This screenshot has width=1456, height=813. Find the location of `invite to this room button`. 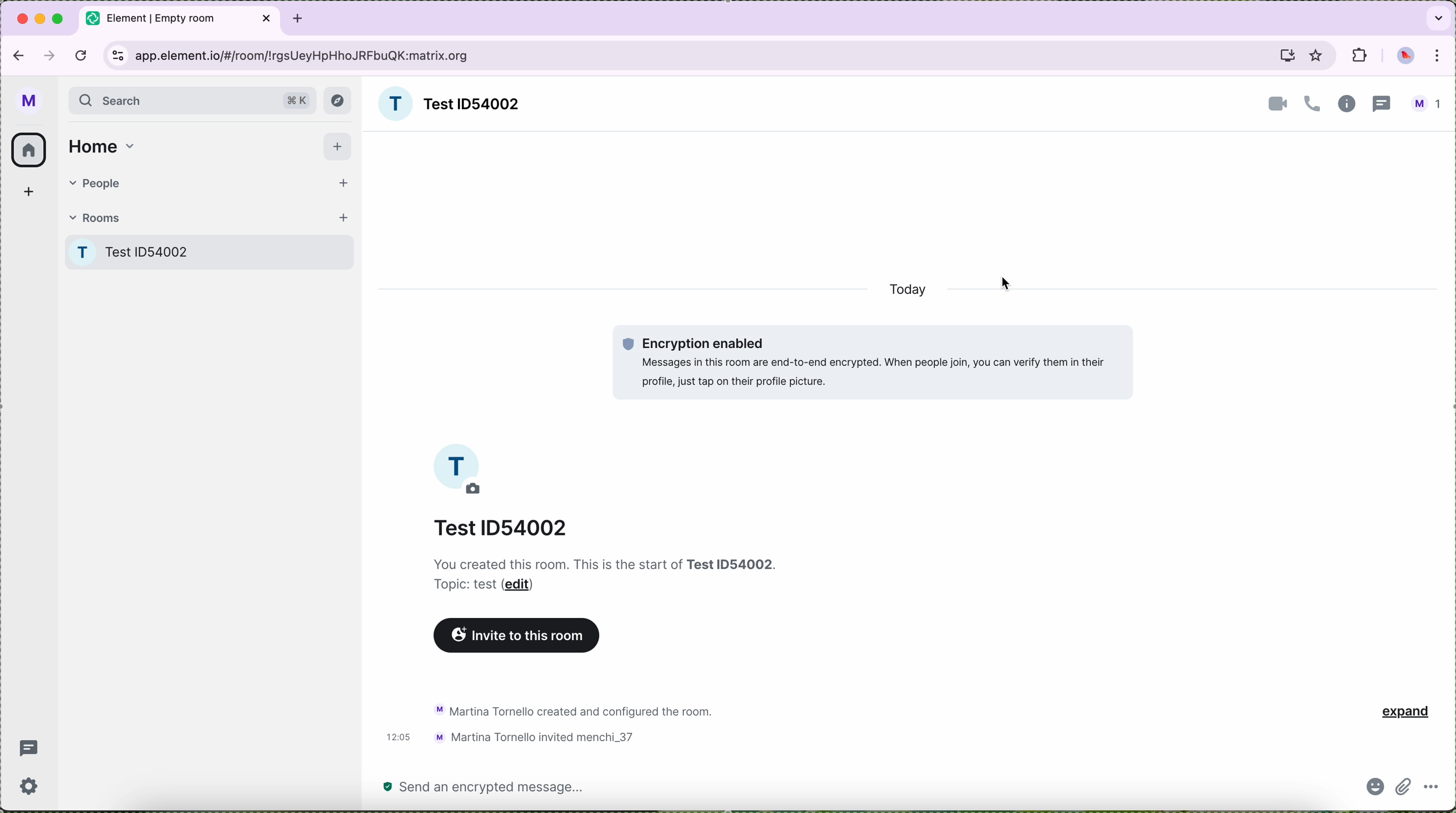

invite to this room button is located at coordinates (519, 634).